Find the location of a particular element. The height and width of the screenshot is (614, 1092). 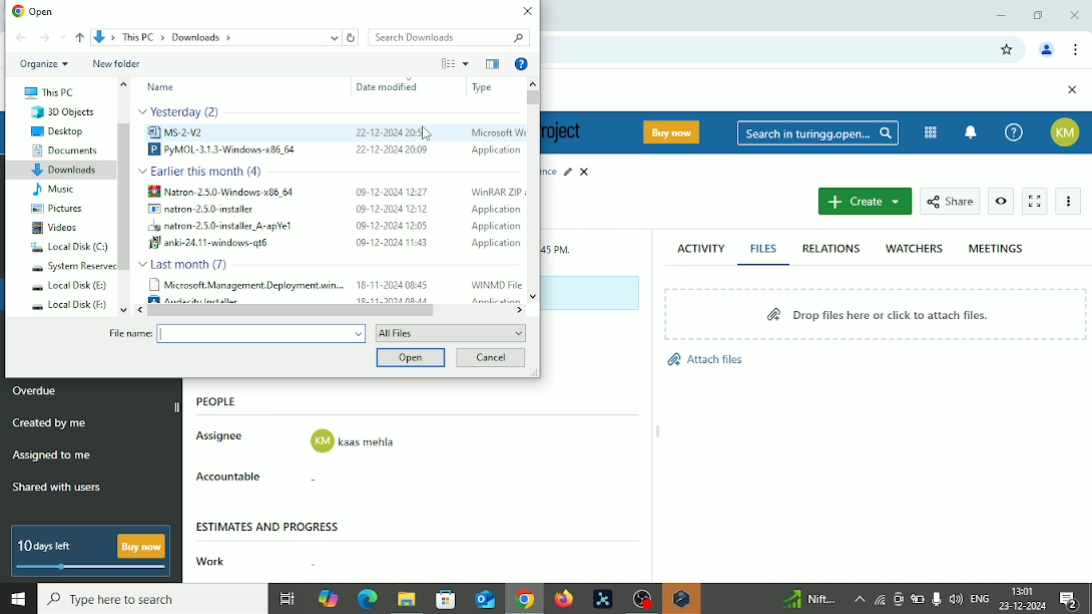

Minimize is located at coordinates (999, 15).